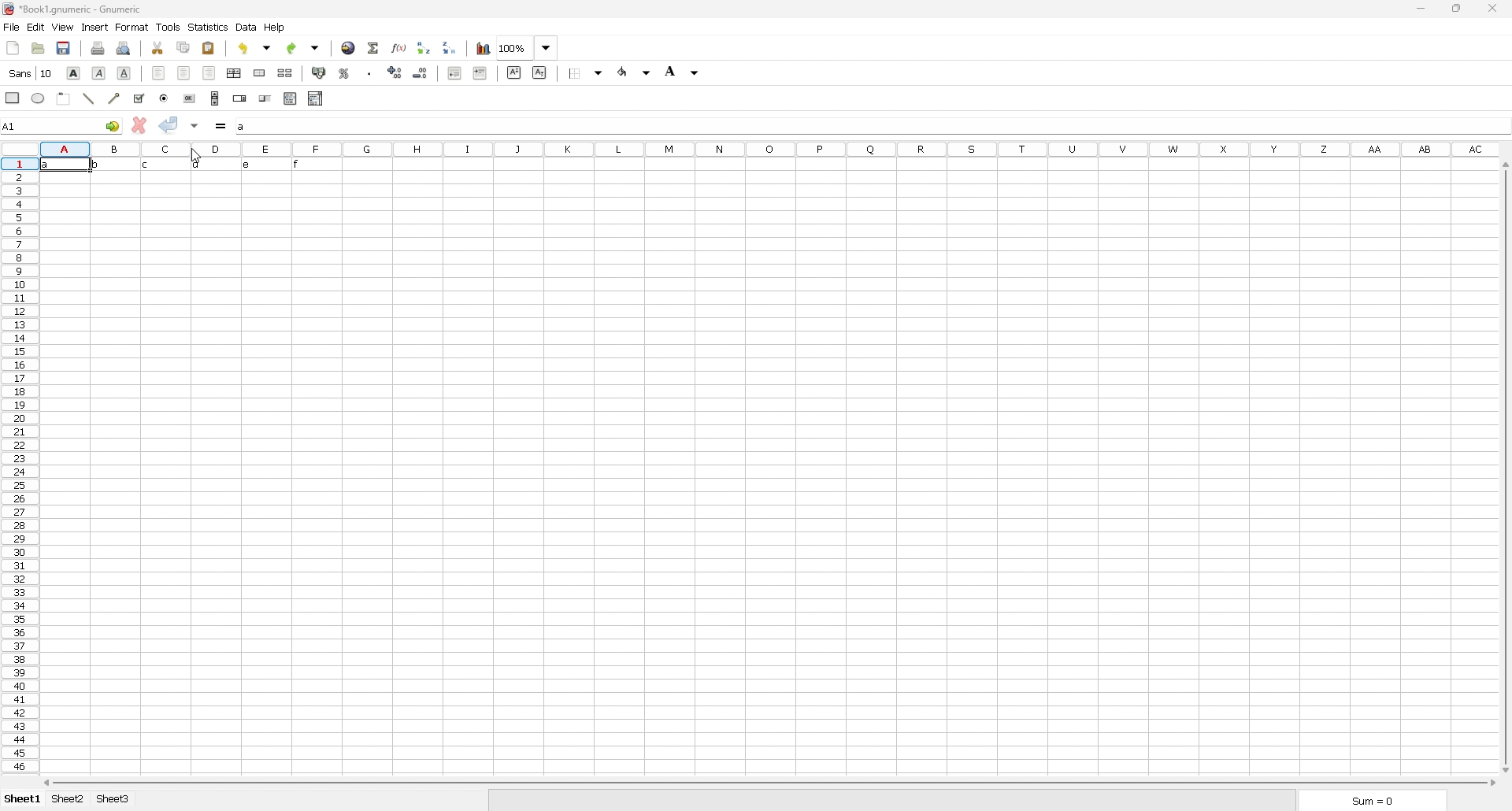 The width and height of the screenshot is (1512, 811). What do you see at coordinates (74, 9) in the screenshot?
I see `file name` at bounding box center [74, 9].